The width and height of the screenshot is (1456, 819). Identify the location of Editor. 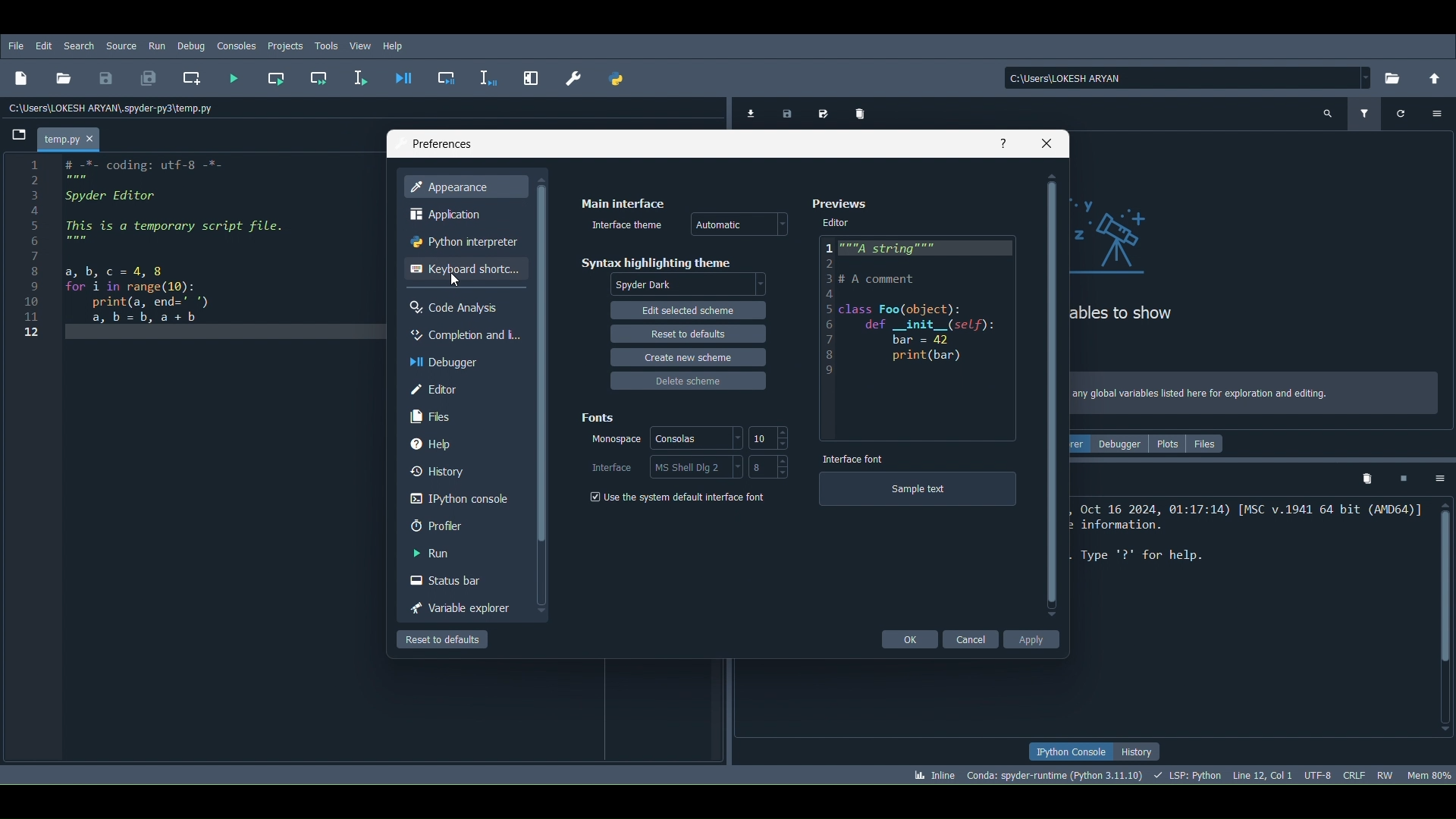
(460, 391).